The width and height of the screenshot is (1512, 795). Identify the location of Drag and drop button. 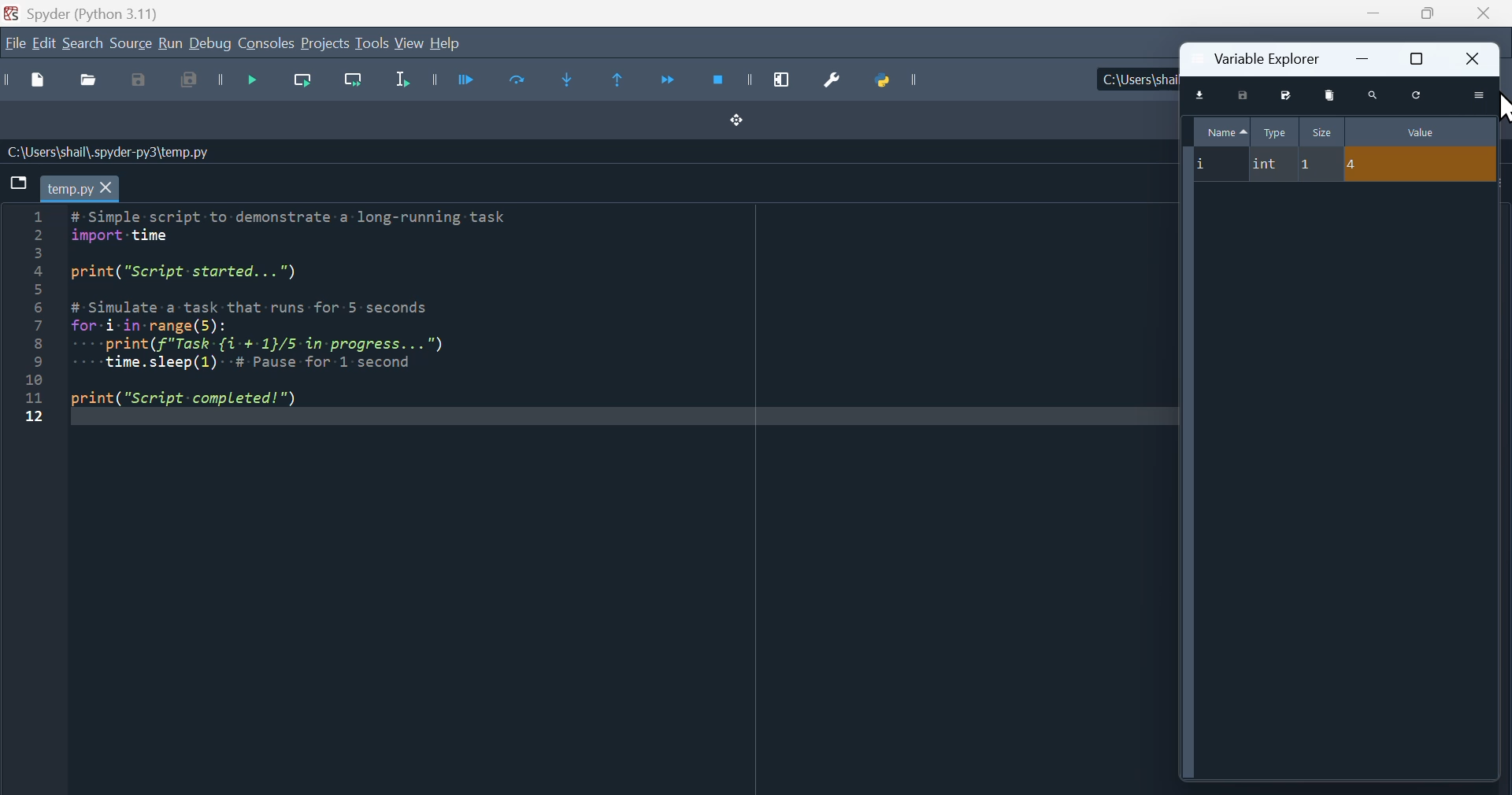
(739, 121).